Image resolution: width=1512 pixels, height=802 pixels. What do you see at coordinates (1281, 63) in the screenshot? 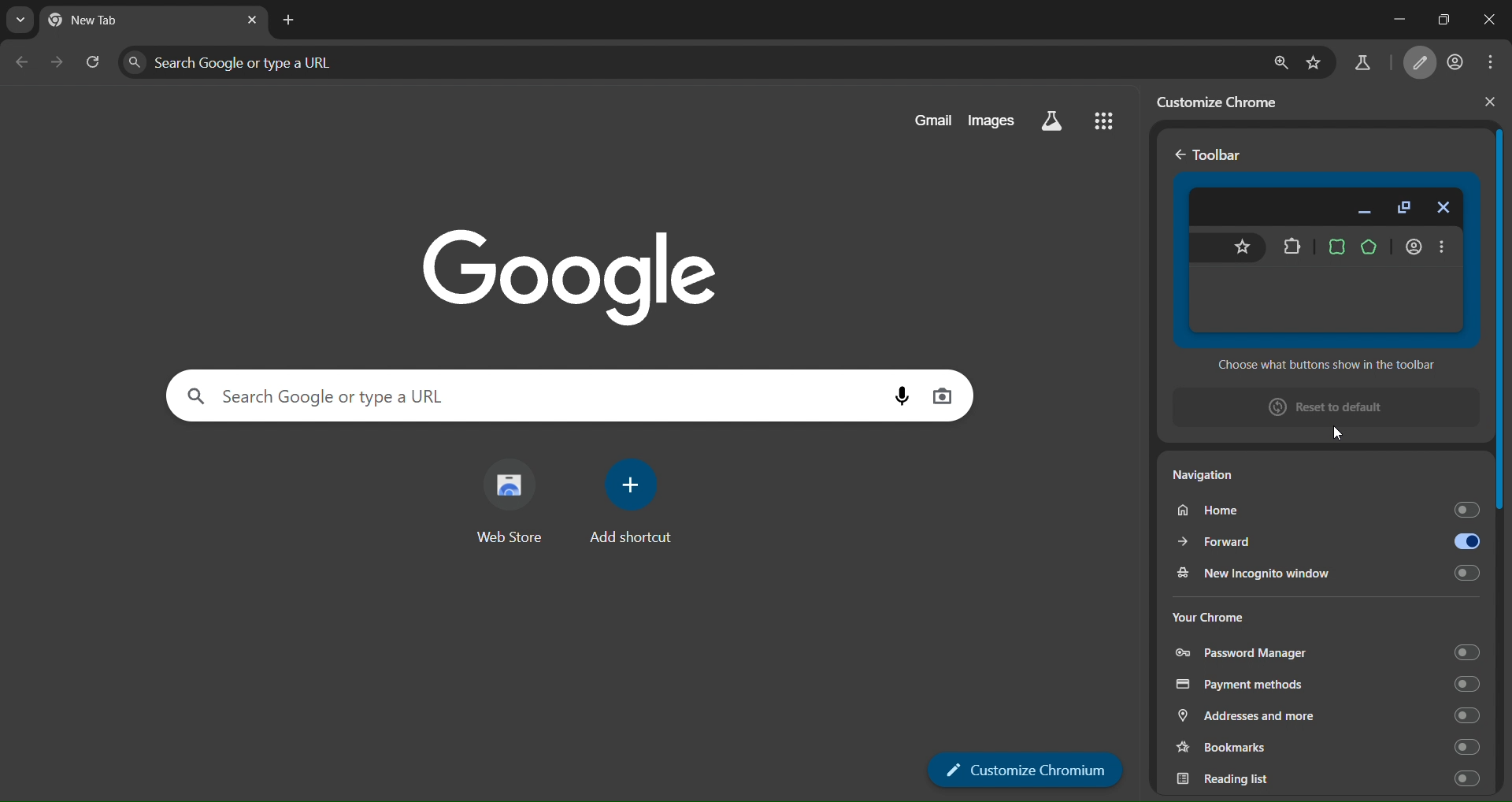
I see `zoom ` at bounding box center [1281, 63].